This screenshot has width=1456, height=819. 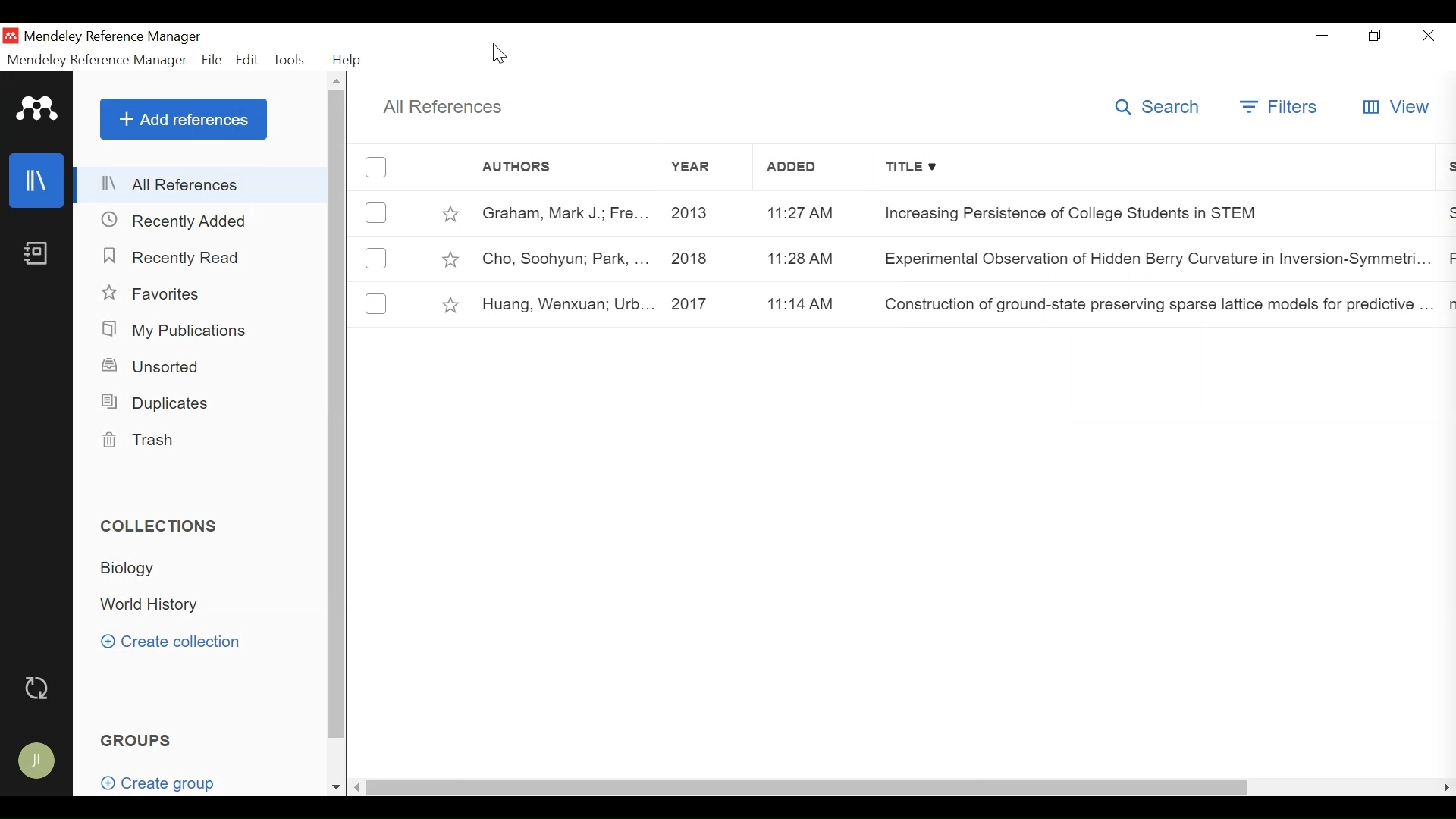 I want to click on Title, so click(x=1154, y=166).